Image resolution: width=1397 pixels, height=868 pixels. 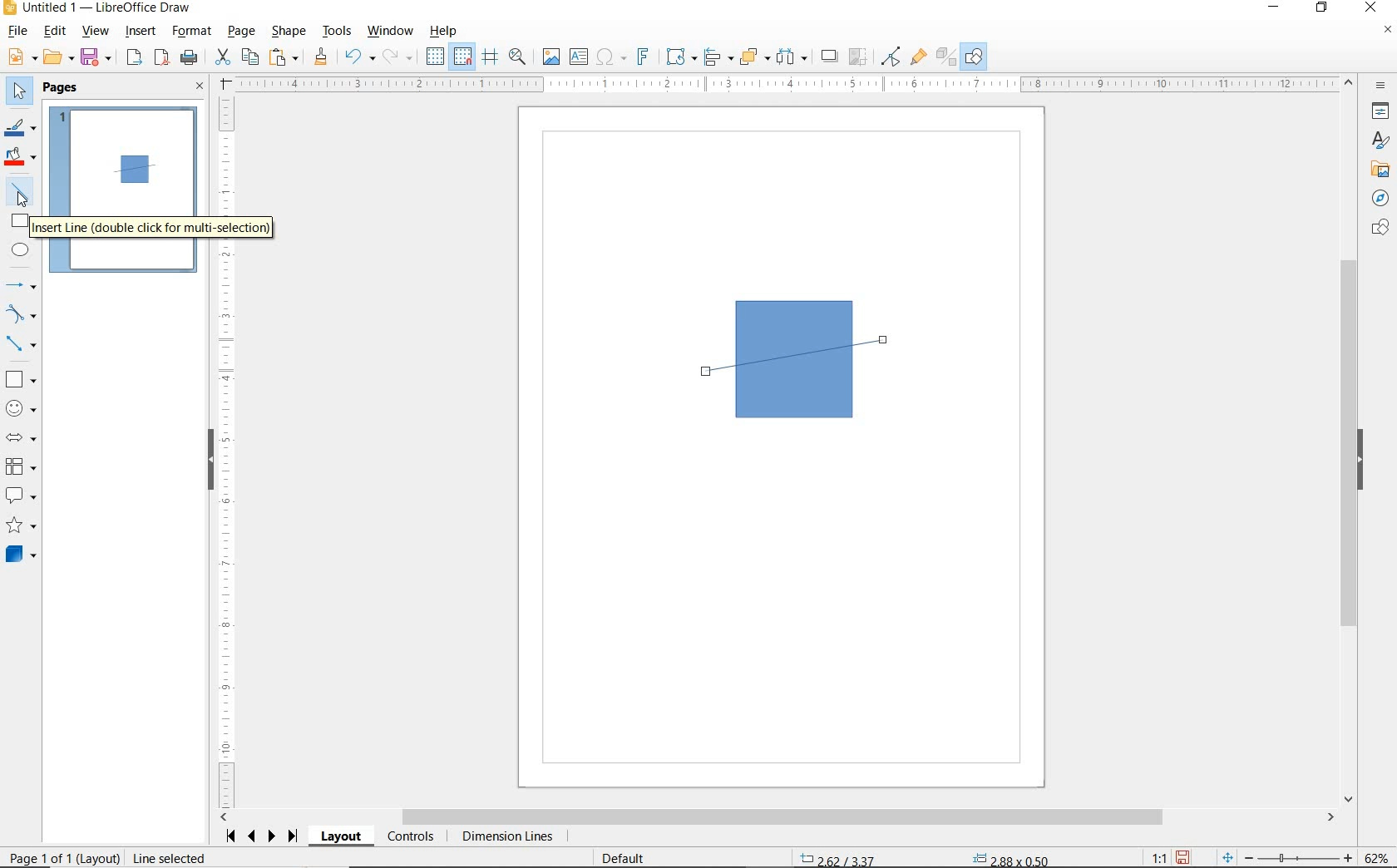 I want to click on 3D SHAPES, so click(x=21, y=555).